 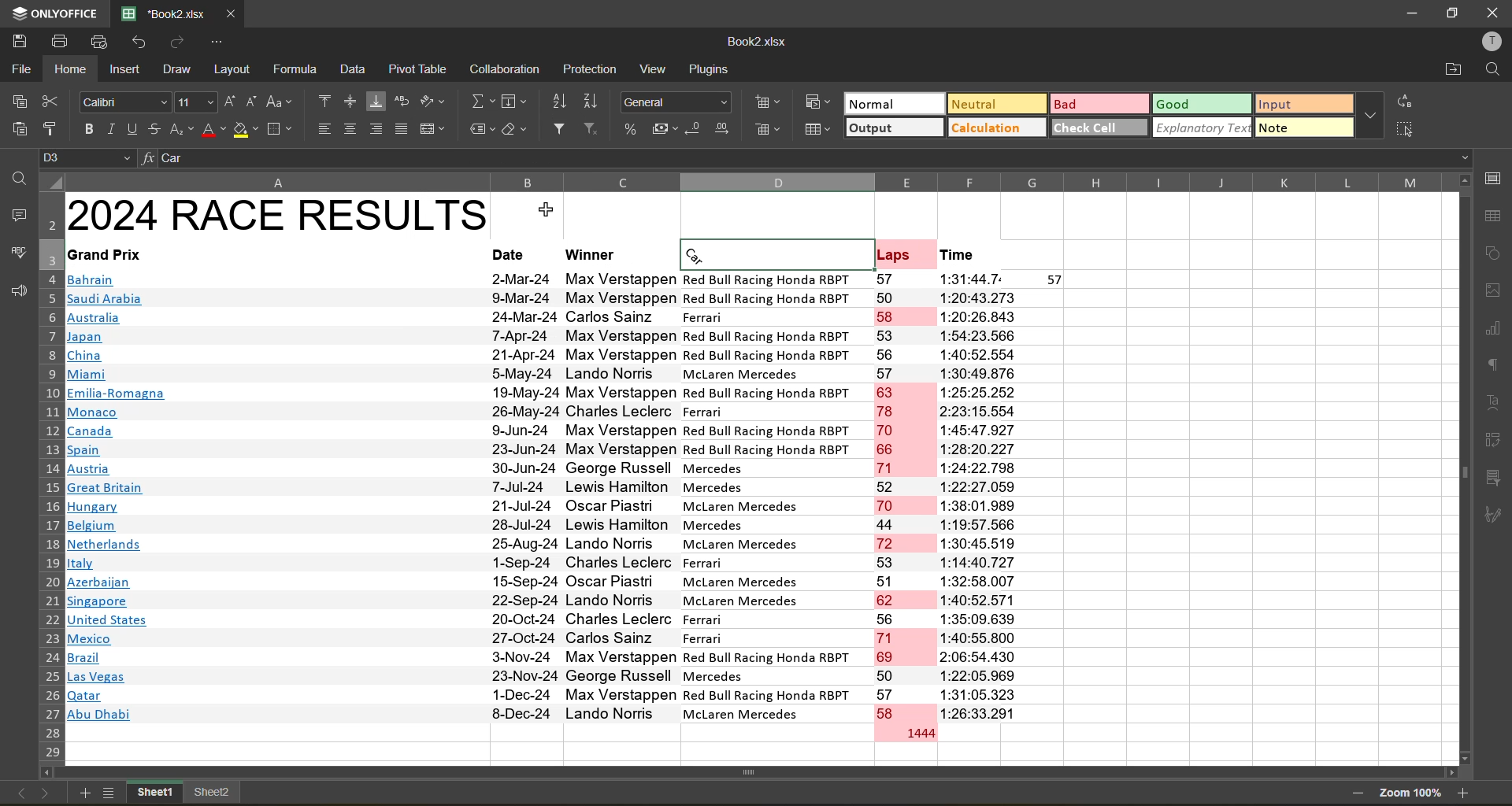 I want to click on filter, so click(x=561, y=130).